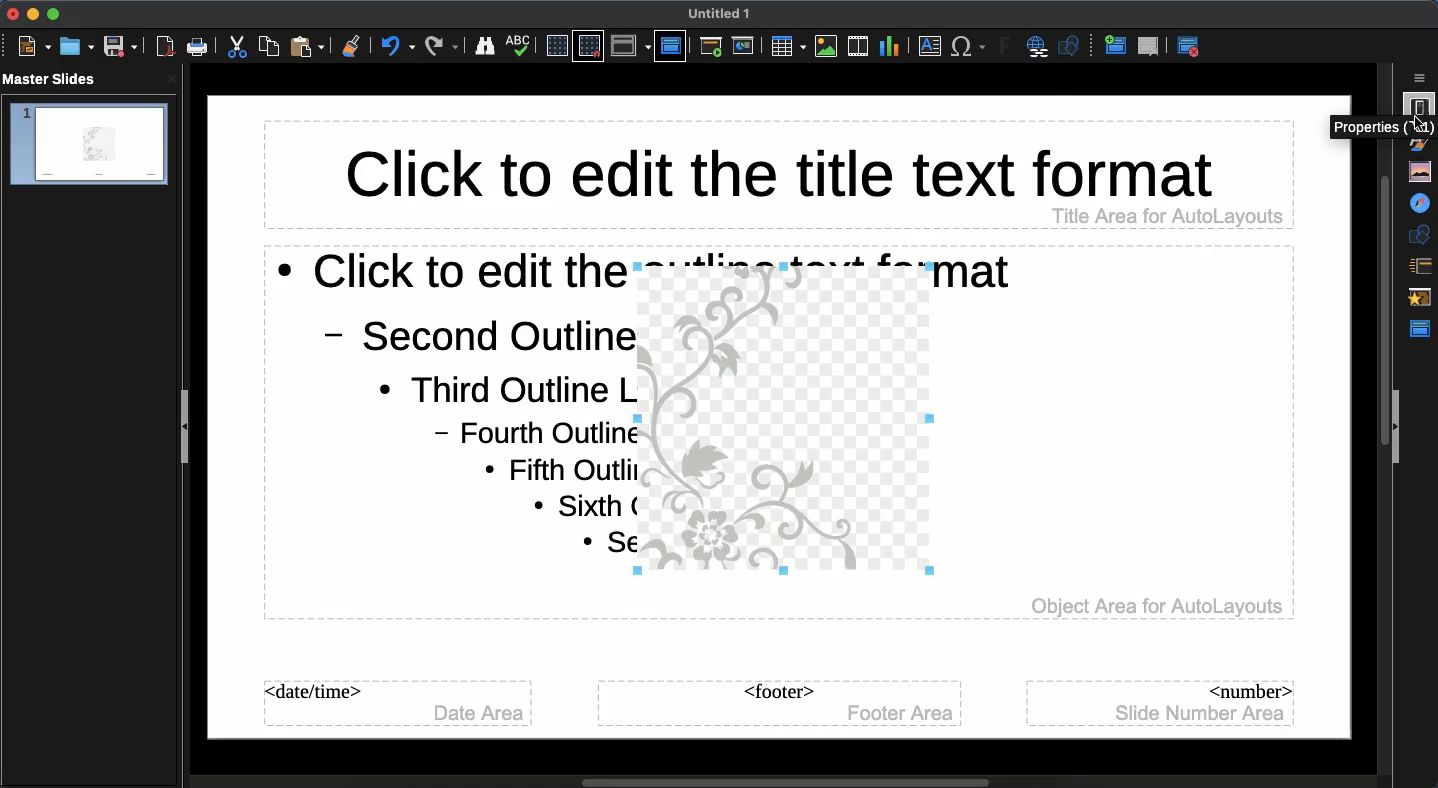 The width and height of the screenshot is (1438, 788). What do you see at coordinates (1420, 144) in the screenshot?
I see `Styles` at bounding box center [1420, 144].